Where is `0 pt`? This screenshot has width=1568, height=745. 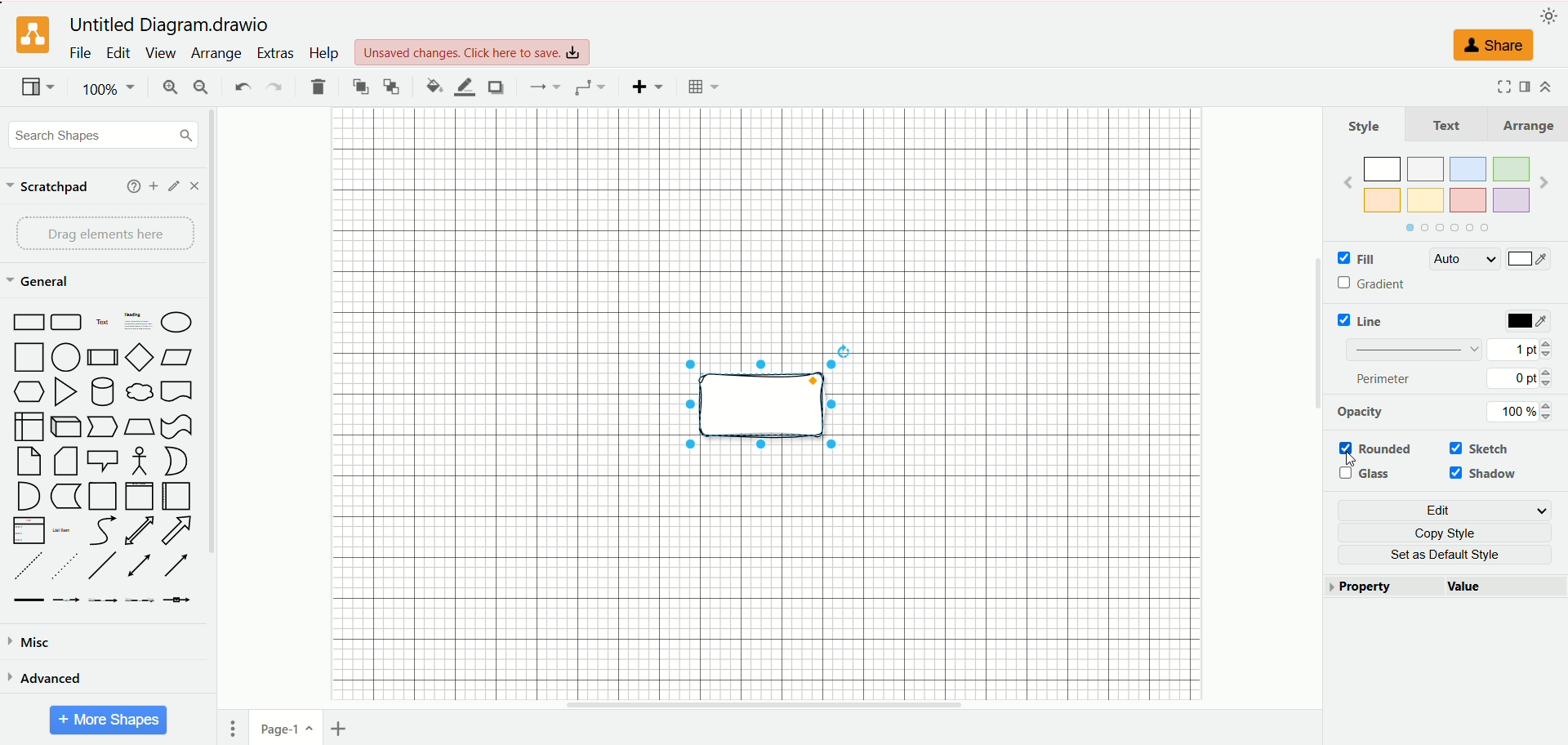 0 pt is located at coordinates (1522, 378).